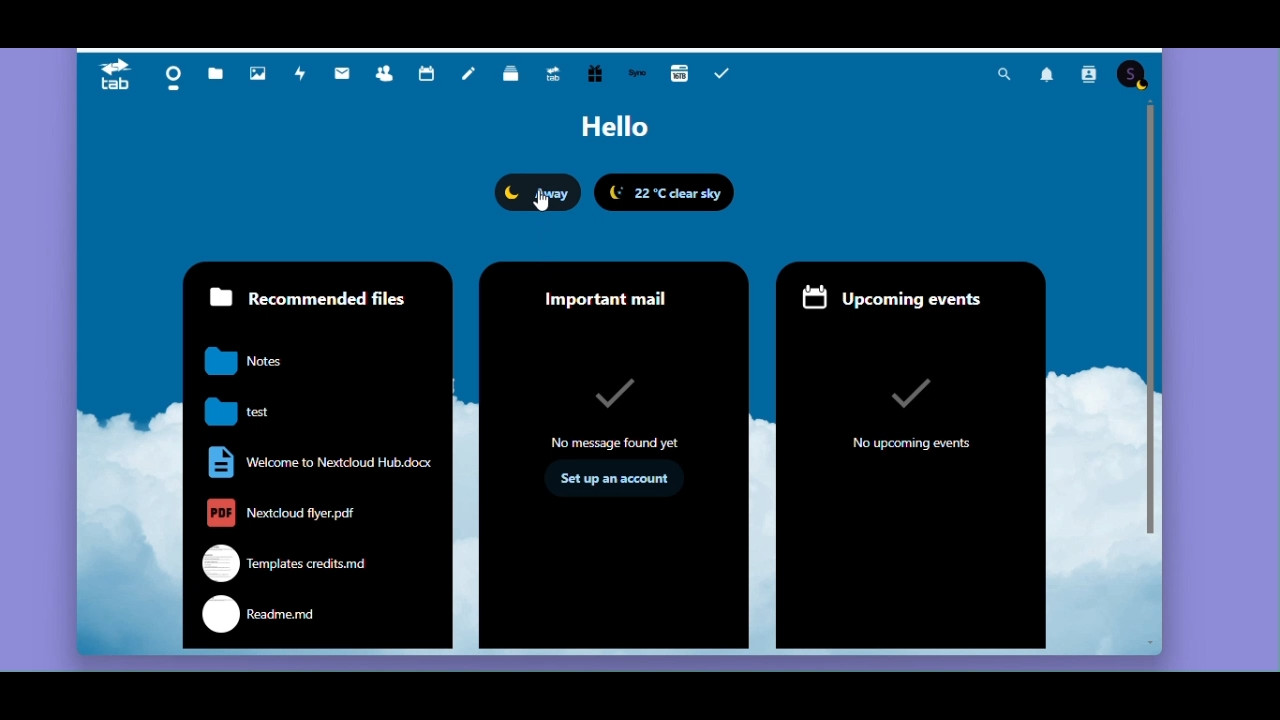 This screenshot has height=720, width=1280. Describe the element at coordinates (910, 411) in the screenshot. I see `no upcoming events` at that location.